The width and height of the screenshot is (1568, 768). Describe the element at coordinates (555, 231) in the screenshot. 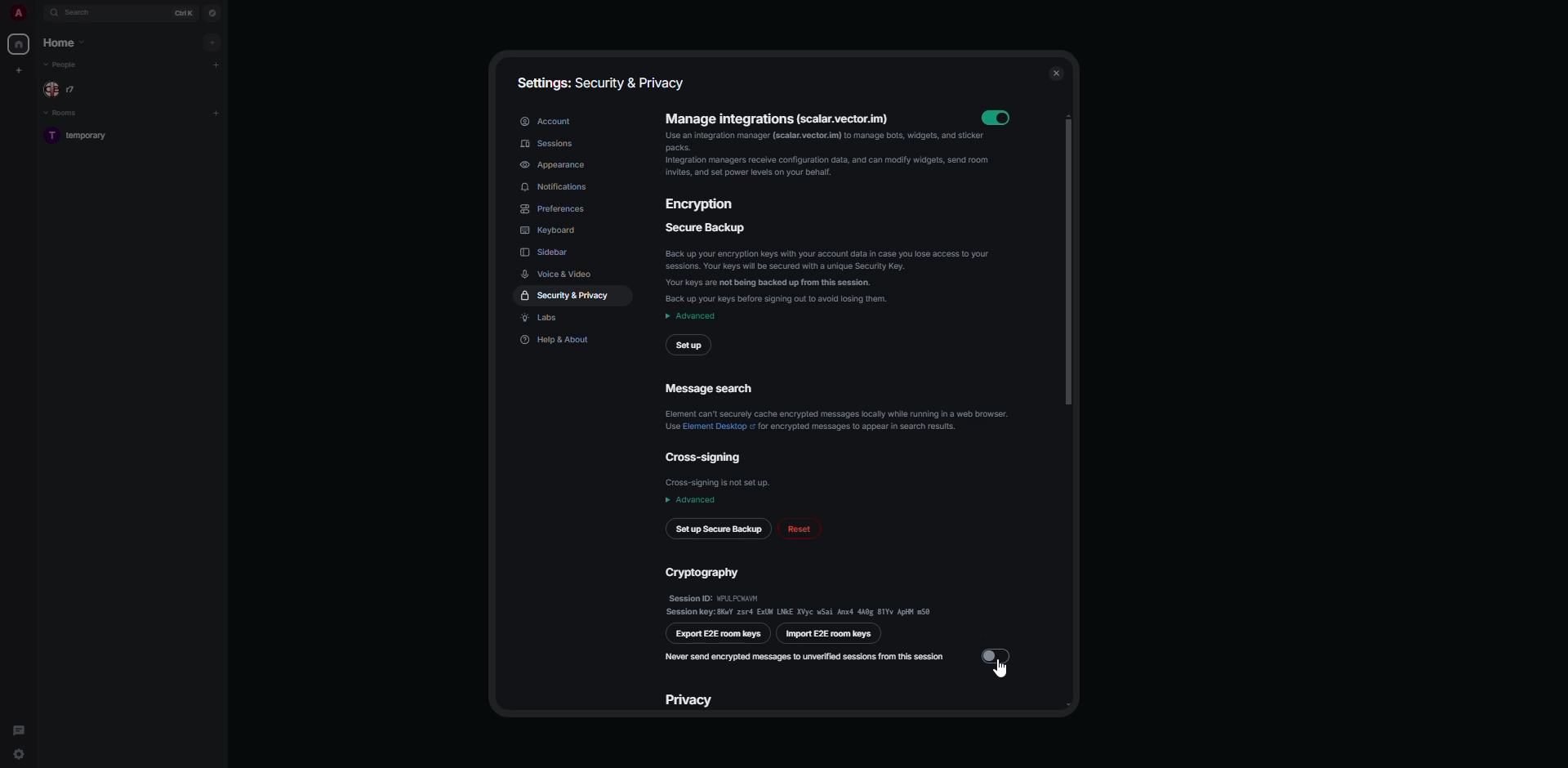

I see `keyboard` at that location.